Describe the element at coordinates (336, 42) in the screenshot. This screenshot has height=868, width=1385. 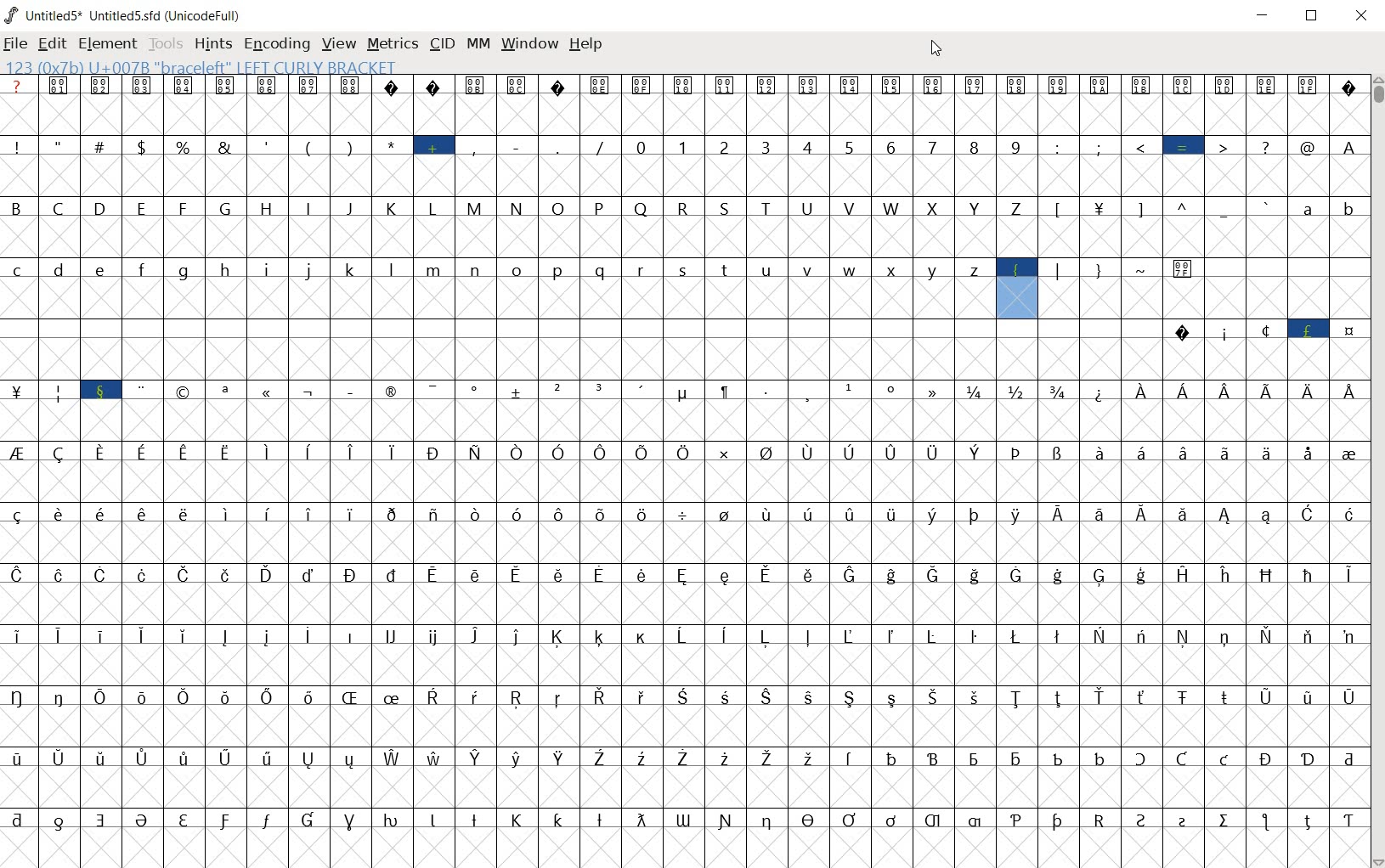
I see `VIEW` at that location.